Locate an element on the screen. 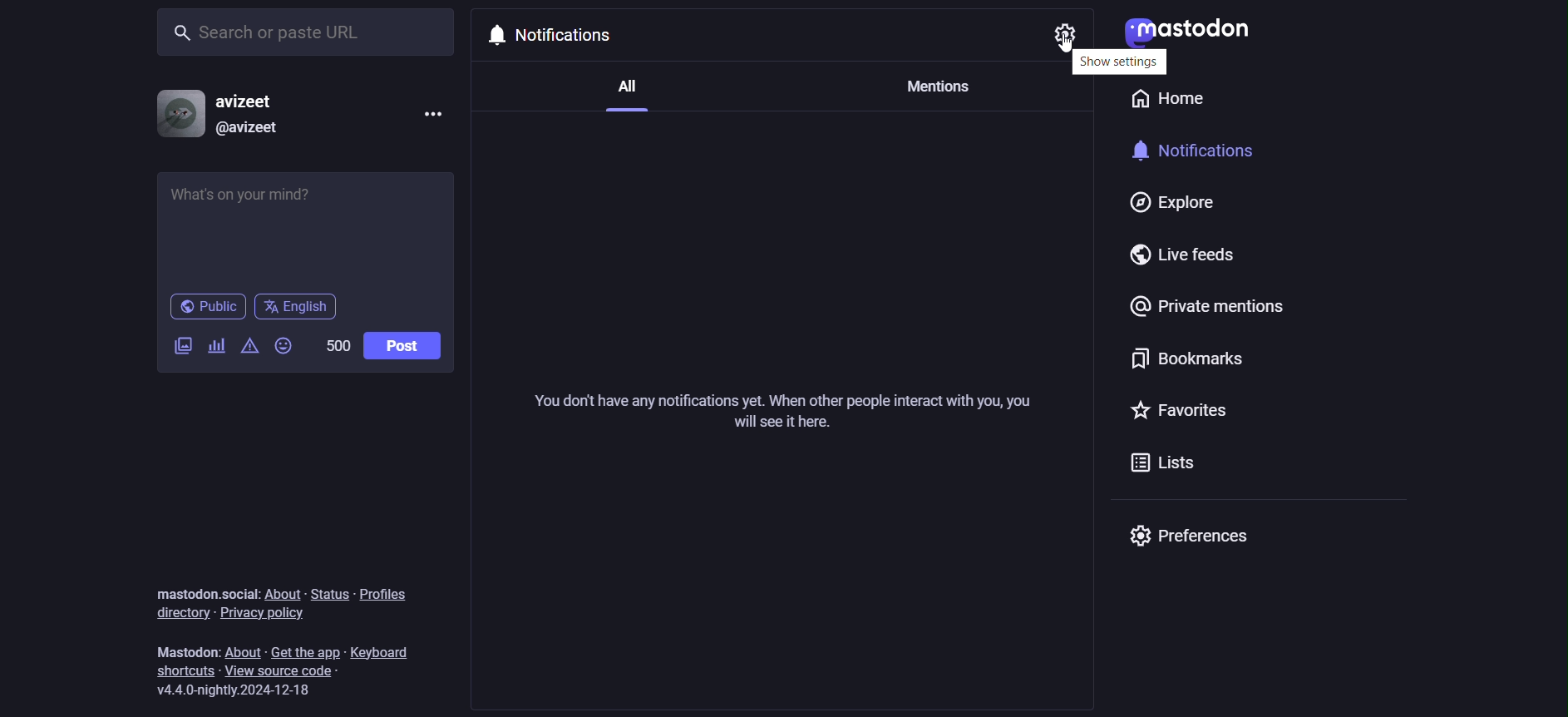 Image resolution: width=1568 pixels, height=717 pixels. You don't have any notifications yet. When other people interact with you, you will see it here. is located at coordinates (785, 412).